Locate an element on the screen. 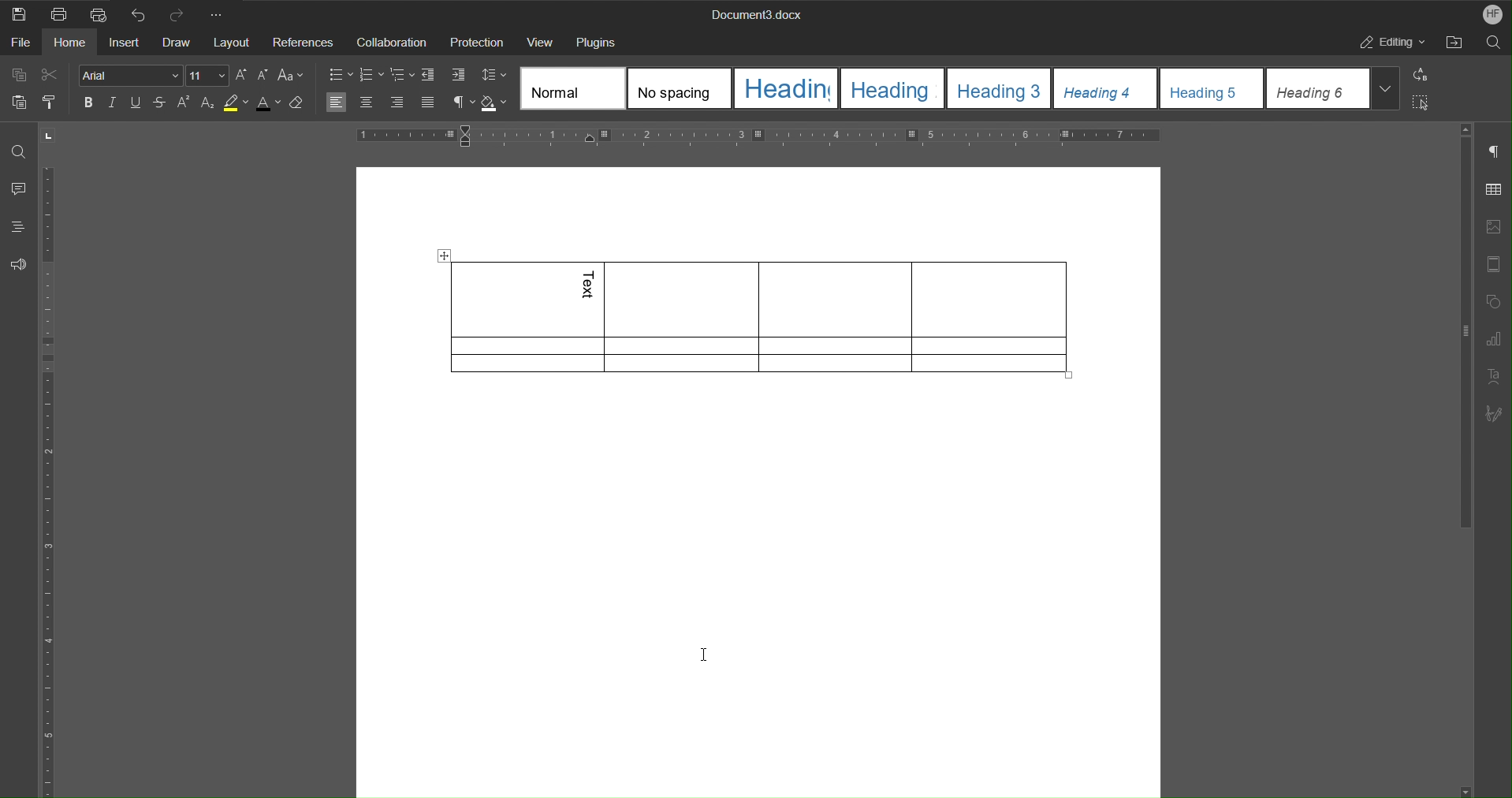 Image resolution: width=1512 pixels, height=798 pixels. Replace is located at coordinates (1424, 76).